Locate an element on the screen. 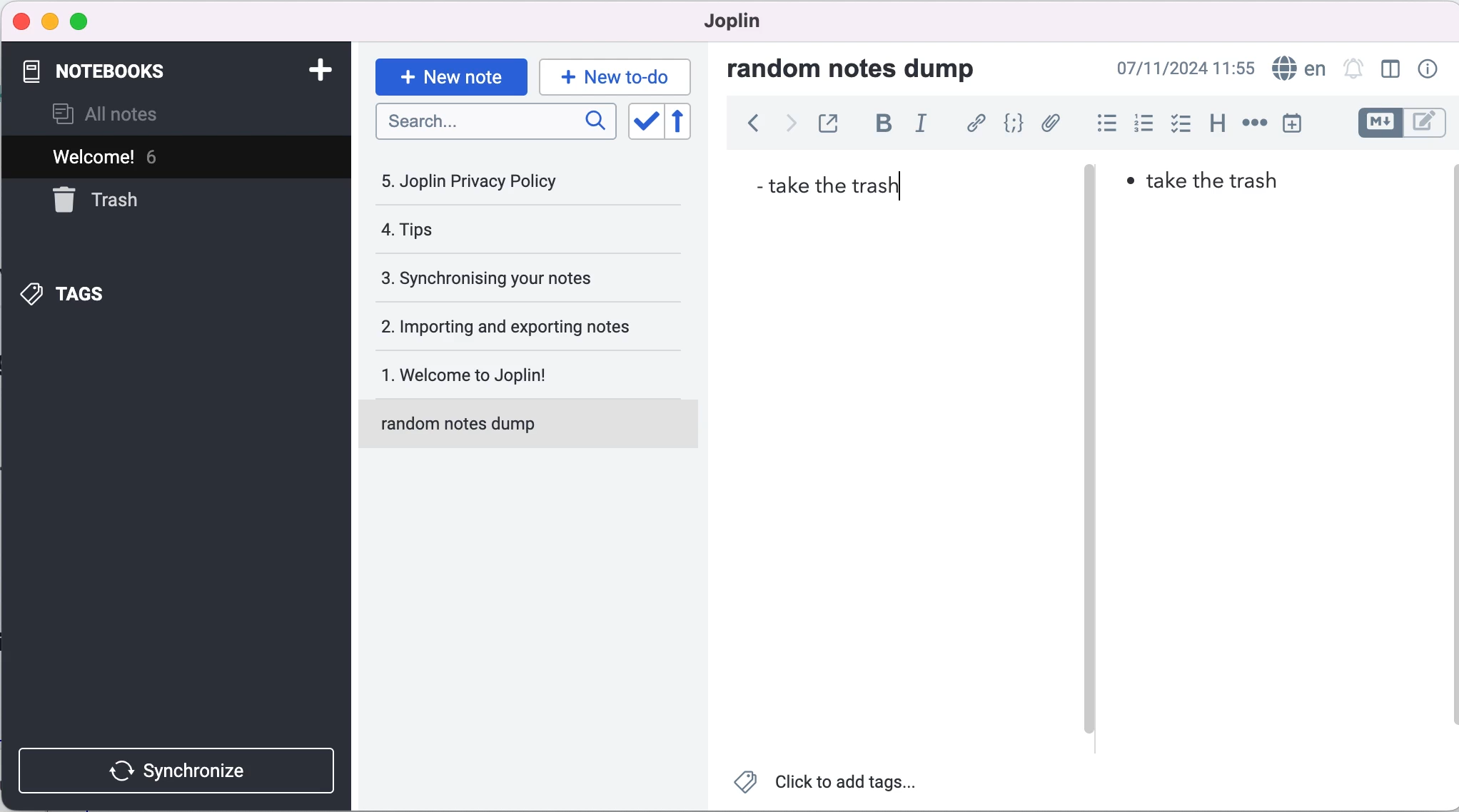 This screenshot has height=812, width=1459. attach file is located at coordinates (1049, 125).